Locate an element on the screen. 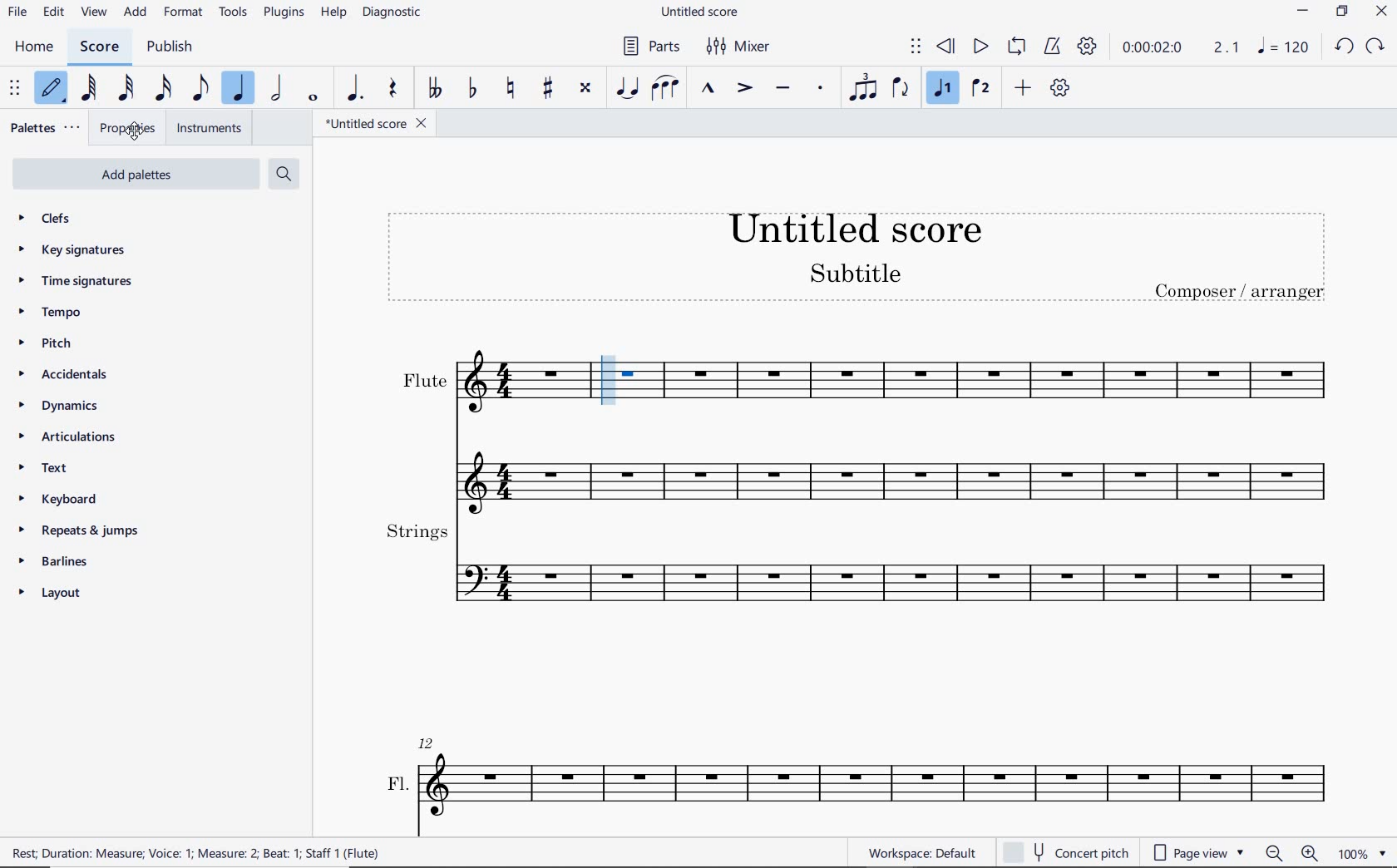 The image size is (1397, 868). zoom factor is located at coordinates (1360, 852).